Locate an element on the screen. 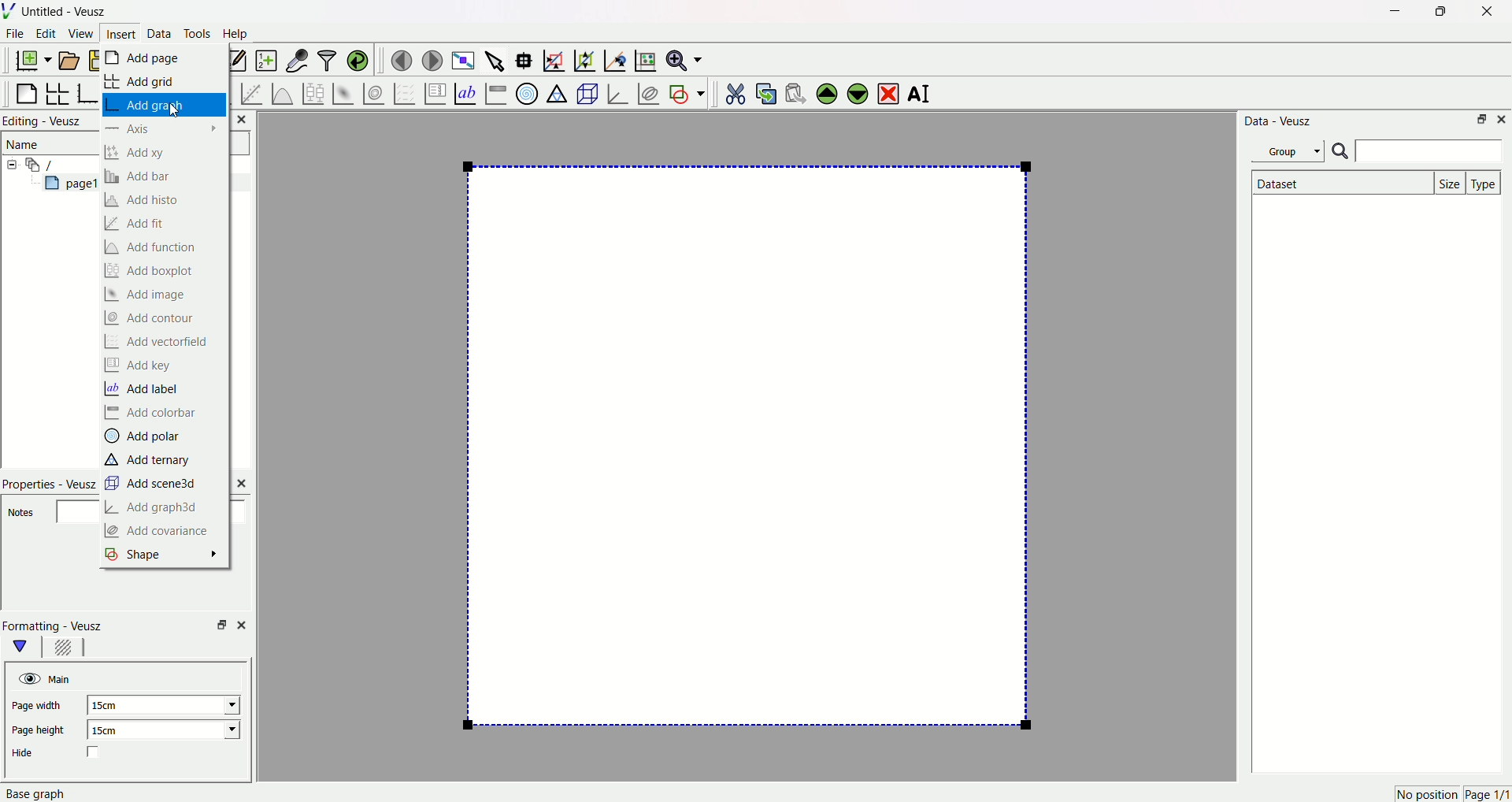  minimise is located at coordinates (218, 625).